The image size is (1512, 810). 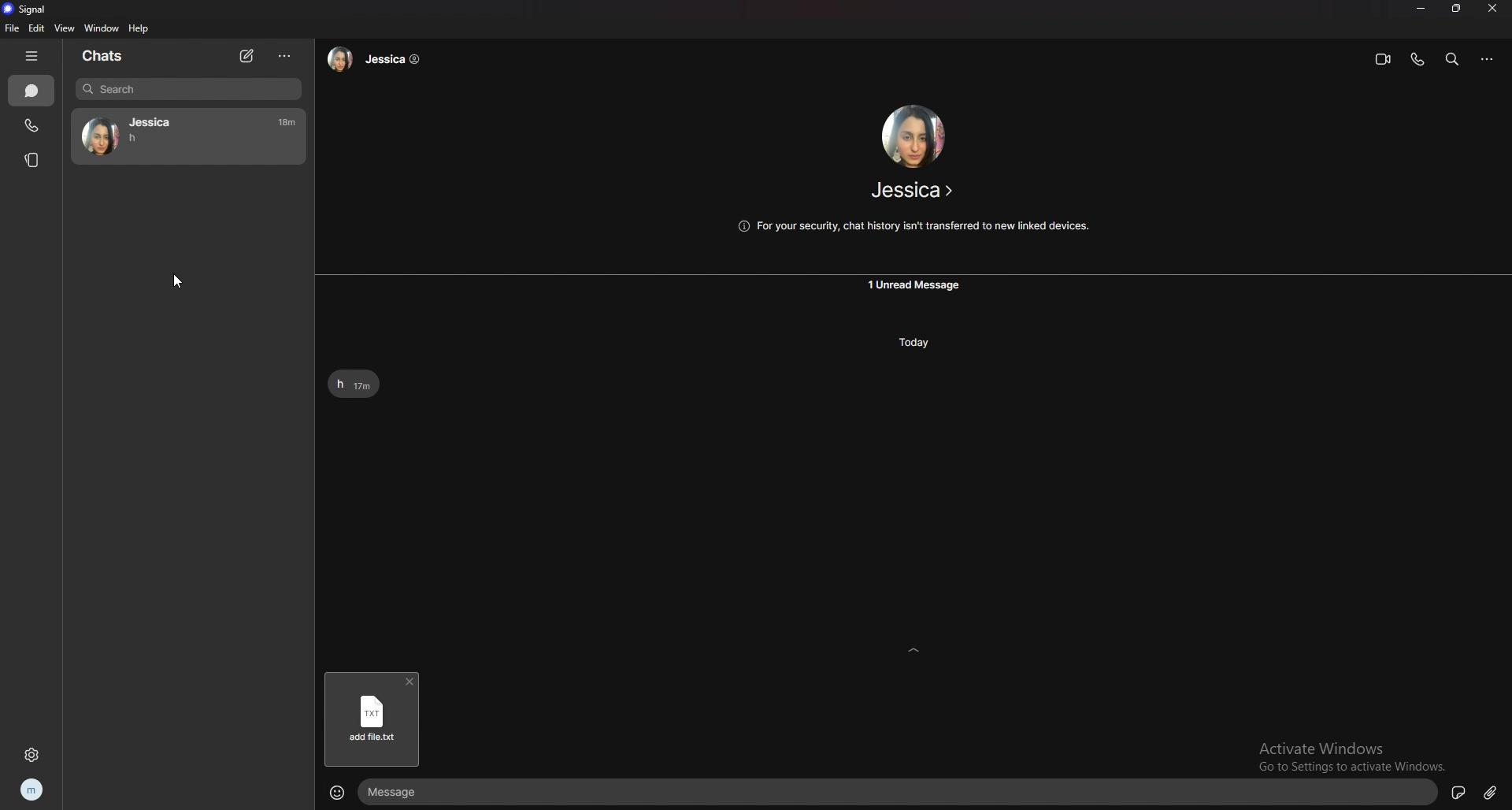 What do you see at coordinates (284, 58) in the screenshot?
I see `options` at bounding box center [284, 58].